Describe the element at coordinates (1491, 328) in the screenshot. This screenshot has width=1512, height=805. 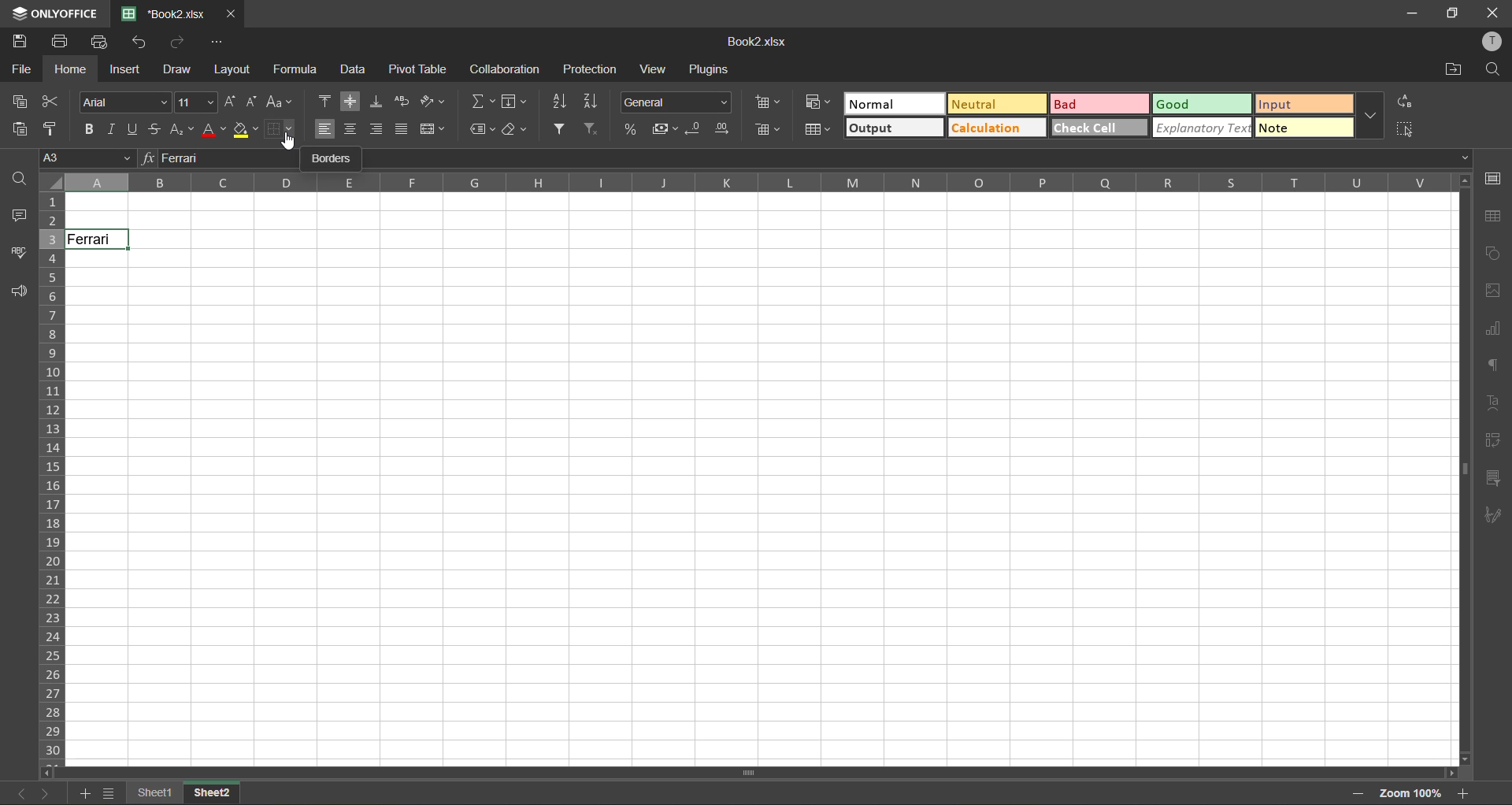
I see `charts` at that location.